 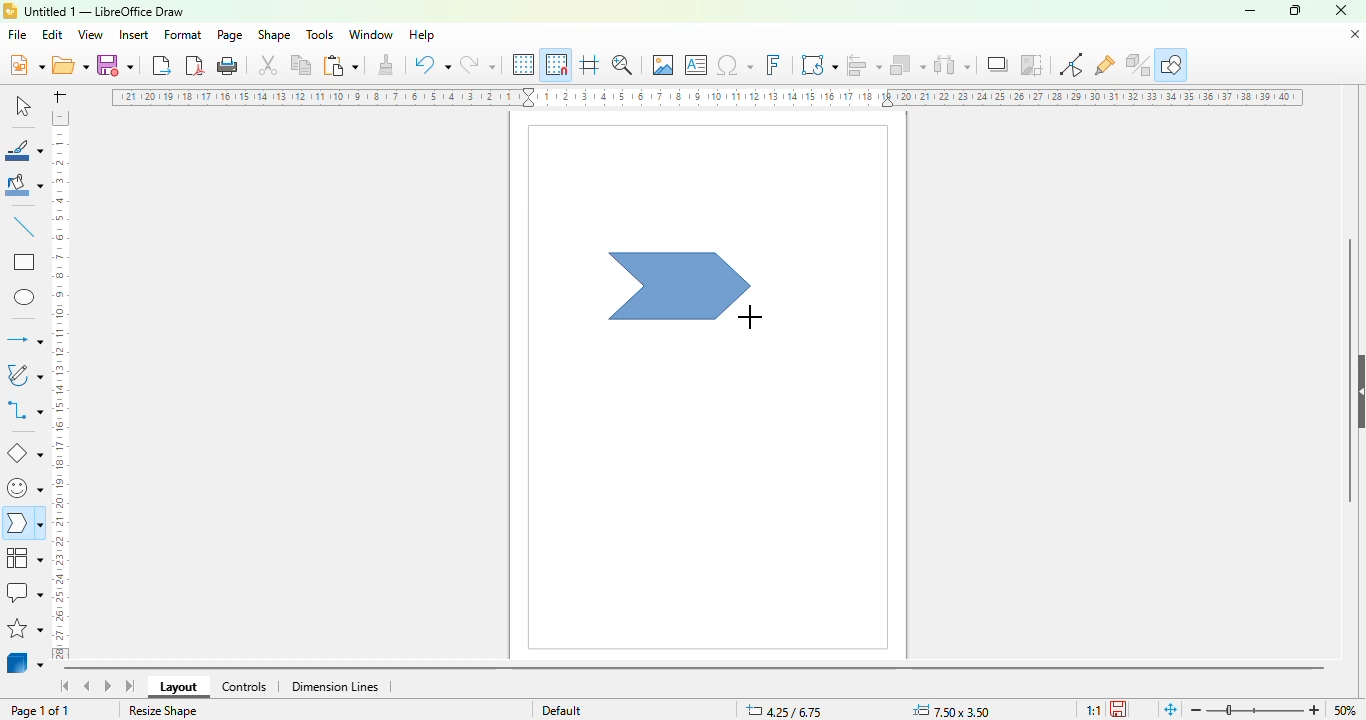 I want to click on toggle point edit mode, so click(x=1071, y=64).